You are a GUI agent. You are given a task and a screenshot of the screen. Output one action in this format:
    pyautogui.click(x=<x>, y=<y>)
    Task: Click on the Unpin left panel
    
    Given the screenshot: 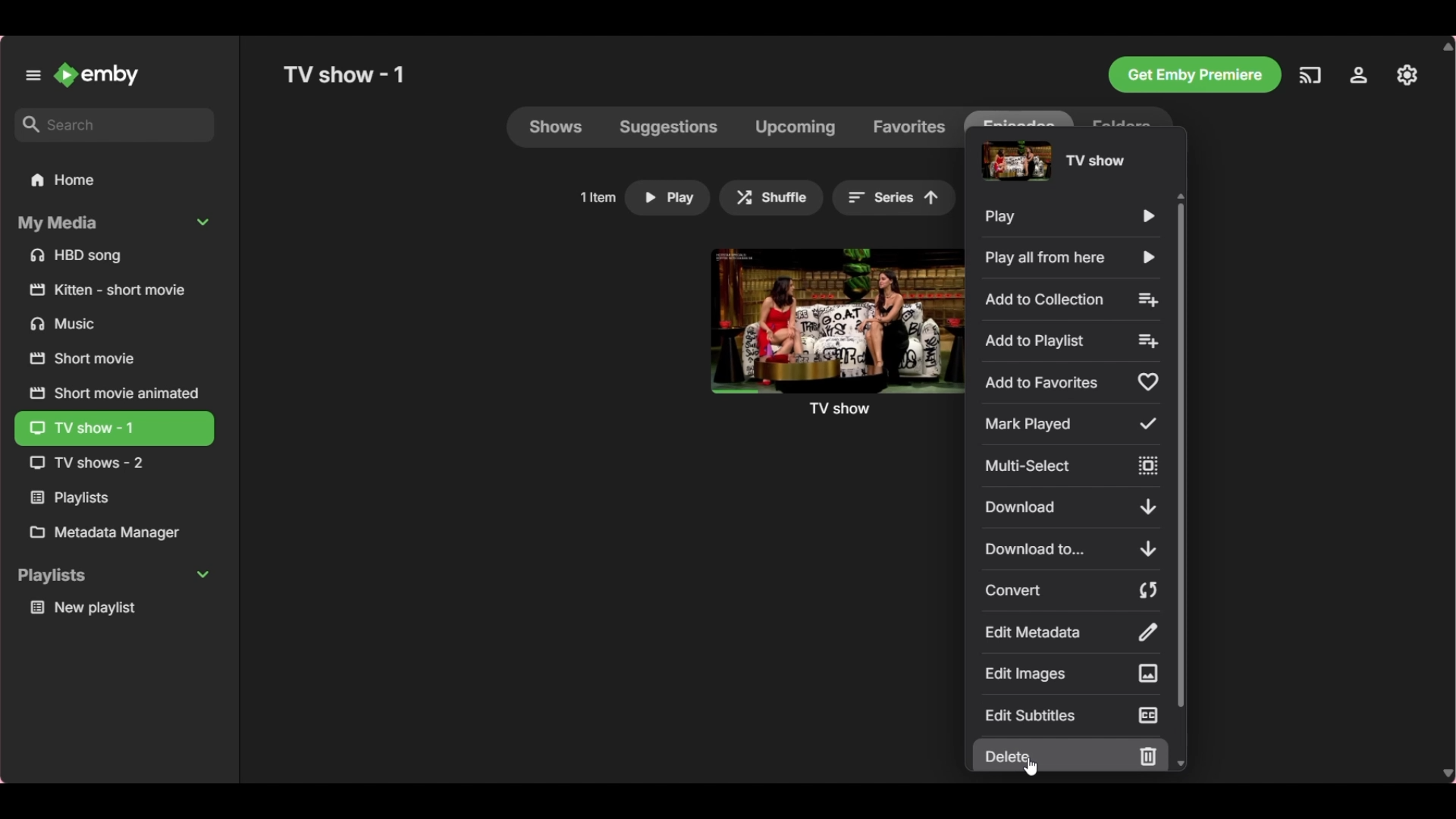 What is the action you would take?
    pyautogui.click(x=33, y=75)
    